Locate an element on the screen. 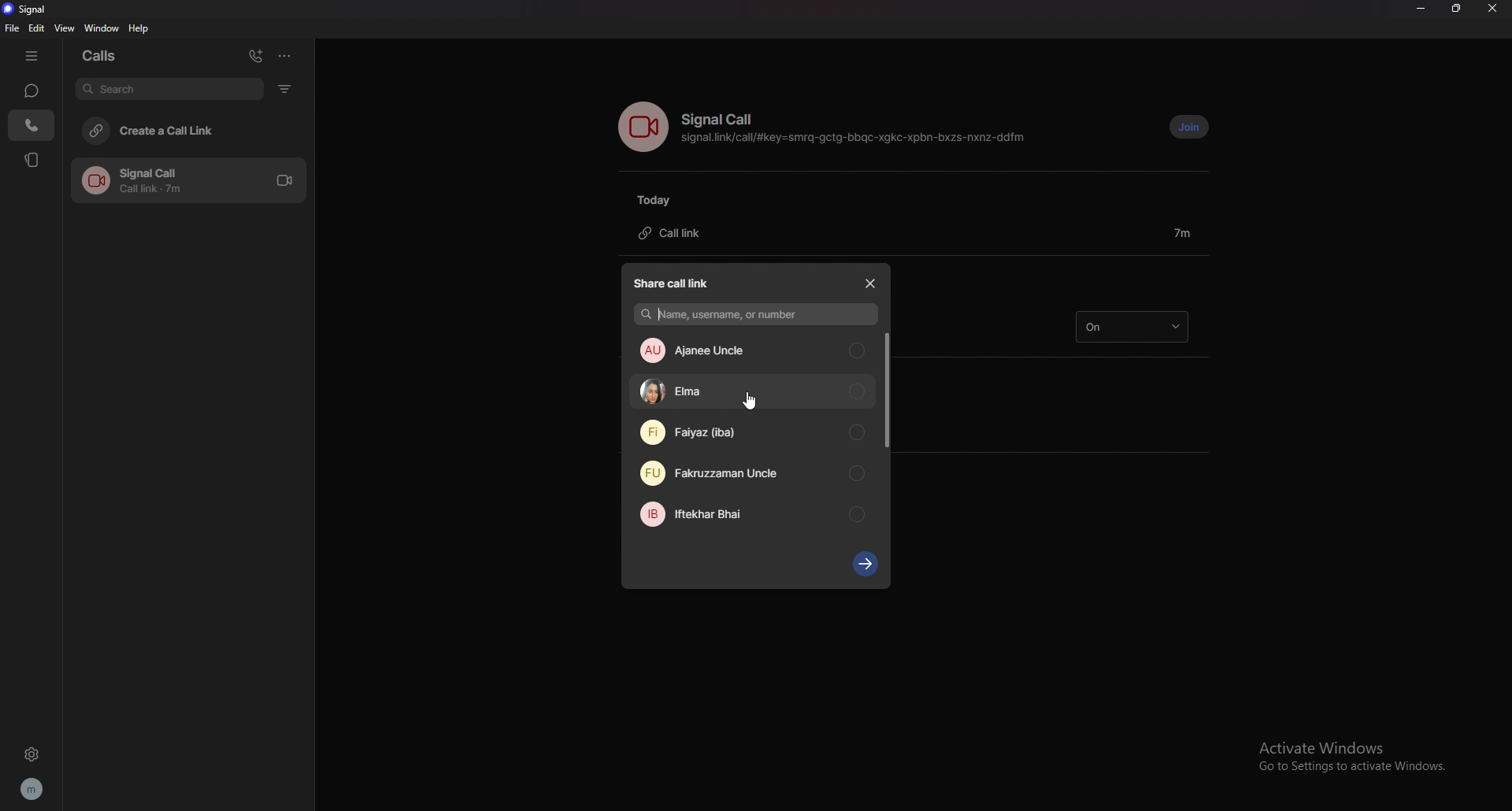 This screenshot has width=1512, height=811. share call link is located at coordinates (676, 282).